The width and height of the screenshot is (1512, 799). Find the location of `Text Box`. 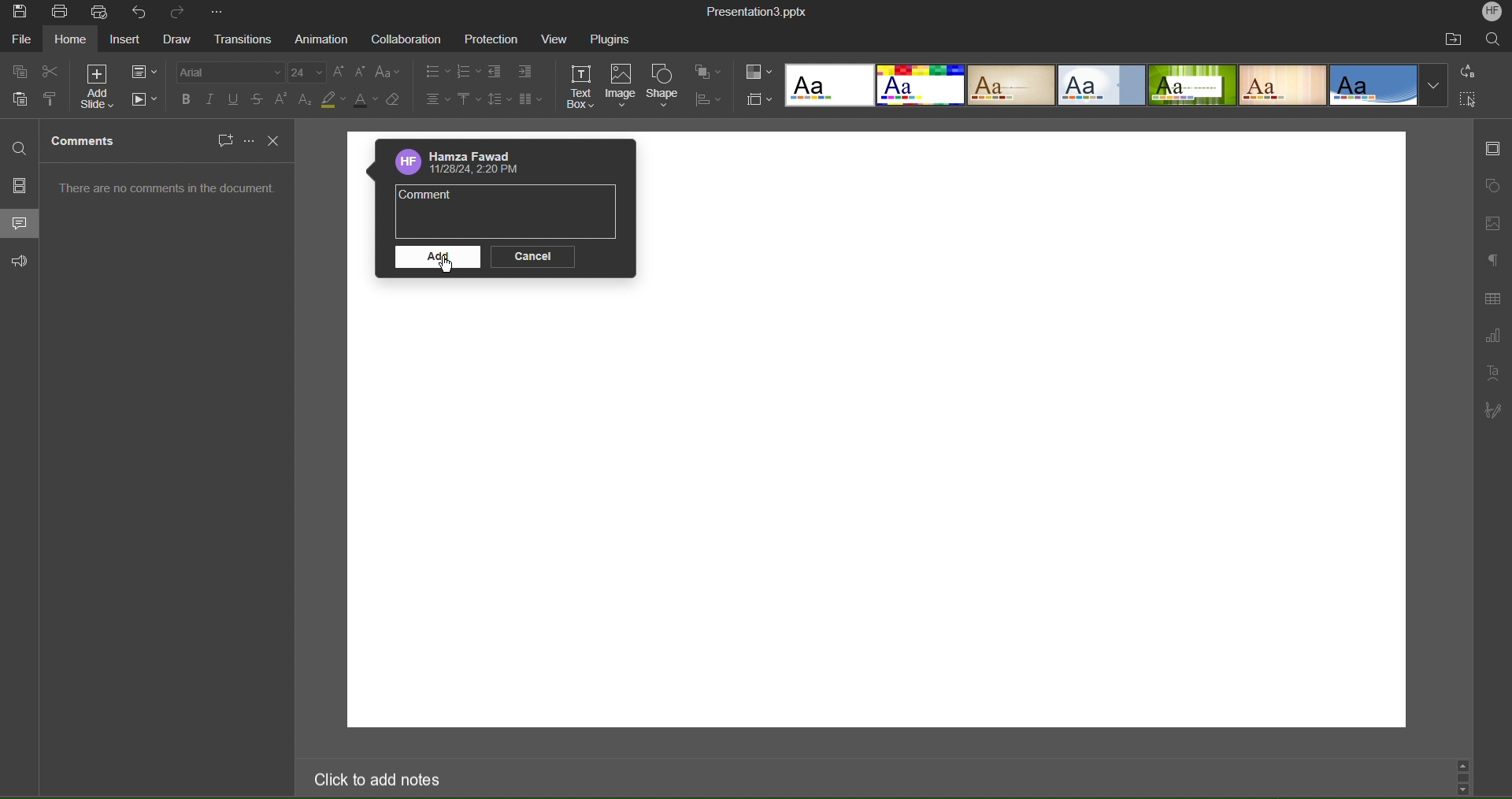

Text Box is located at coordinates (584, 87).